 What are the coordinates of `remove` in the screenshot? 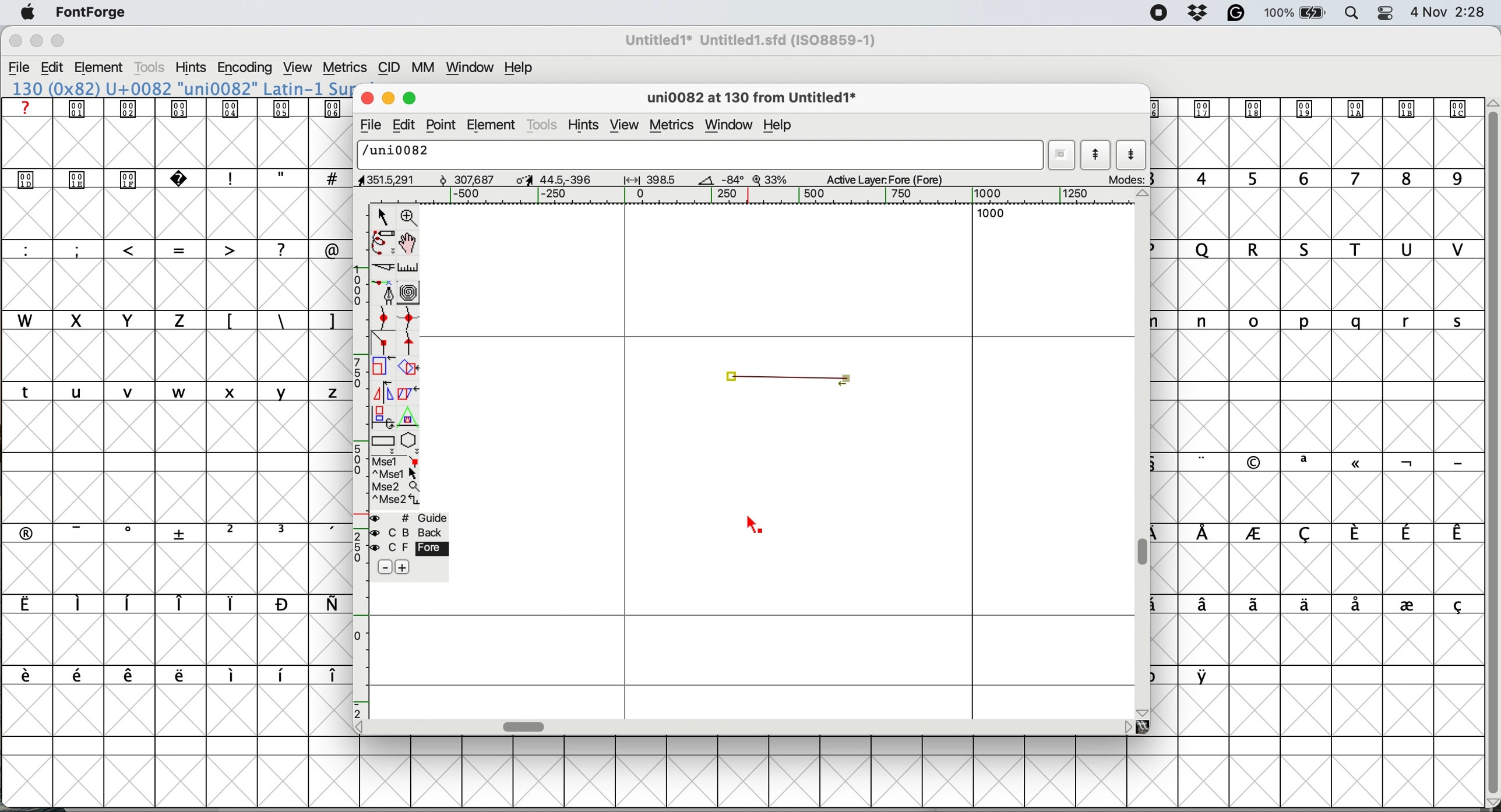 It's located at (386, 568).